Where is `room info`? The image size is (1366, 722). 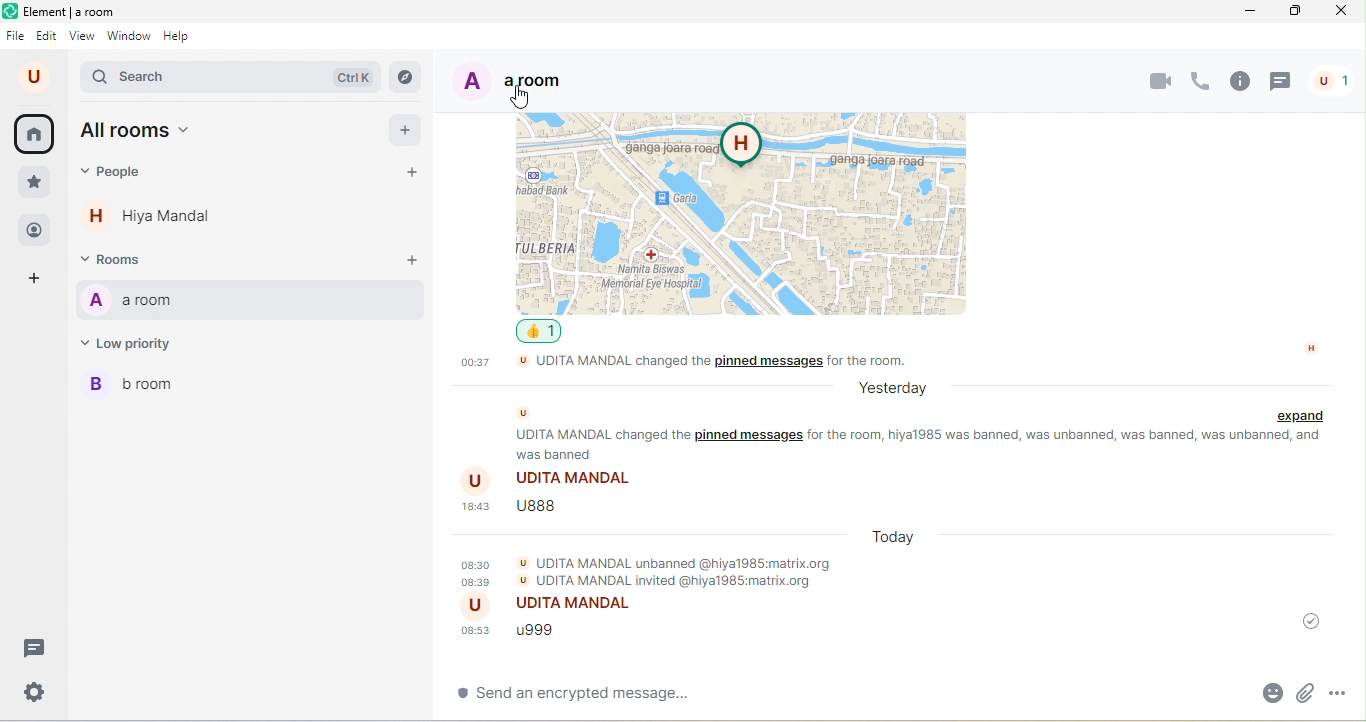
room info is located at coordinates (1242, 81).